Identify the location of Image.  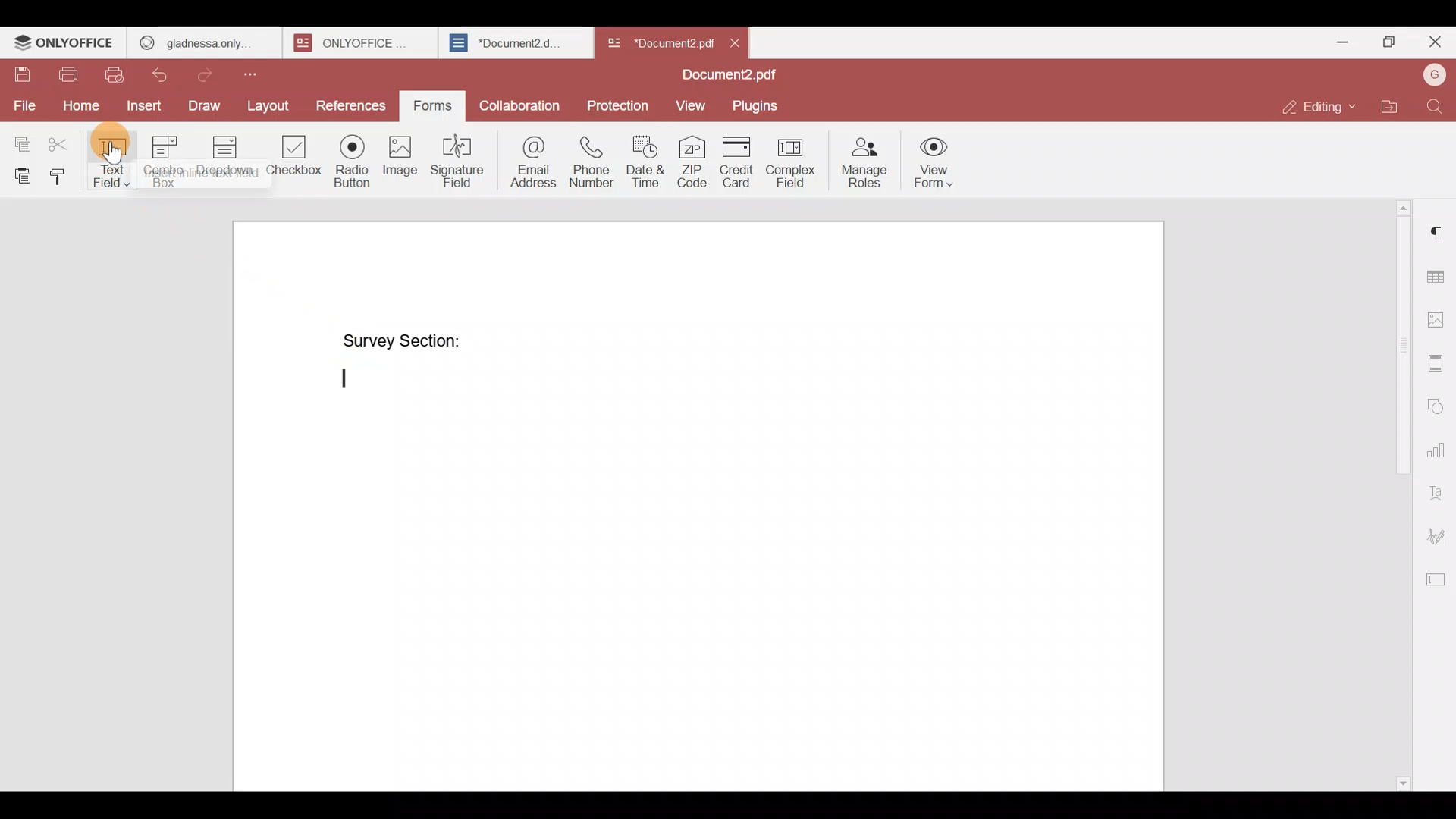
(399, 158).